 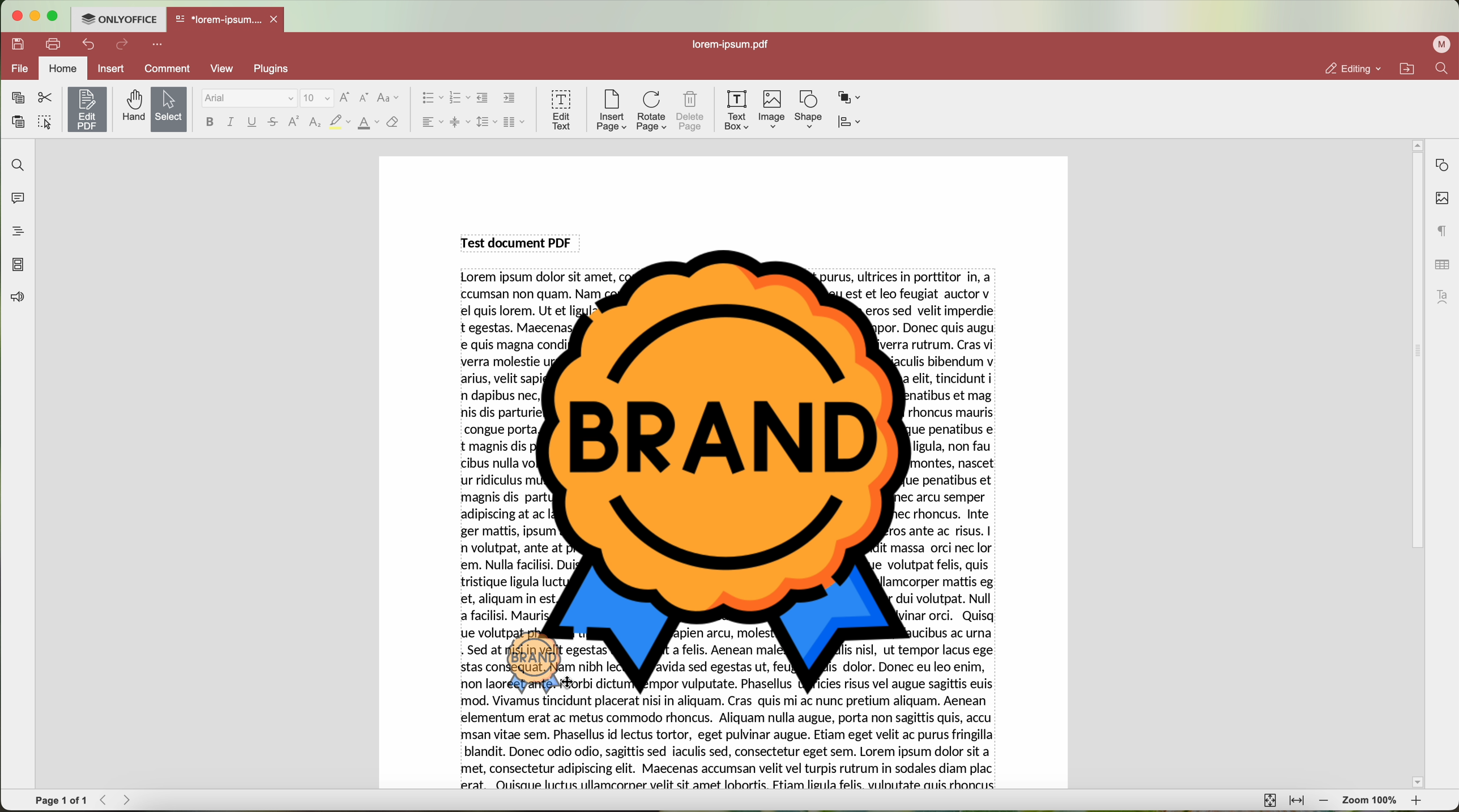 I want to click on increment font size, so click(x=344, y=97).